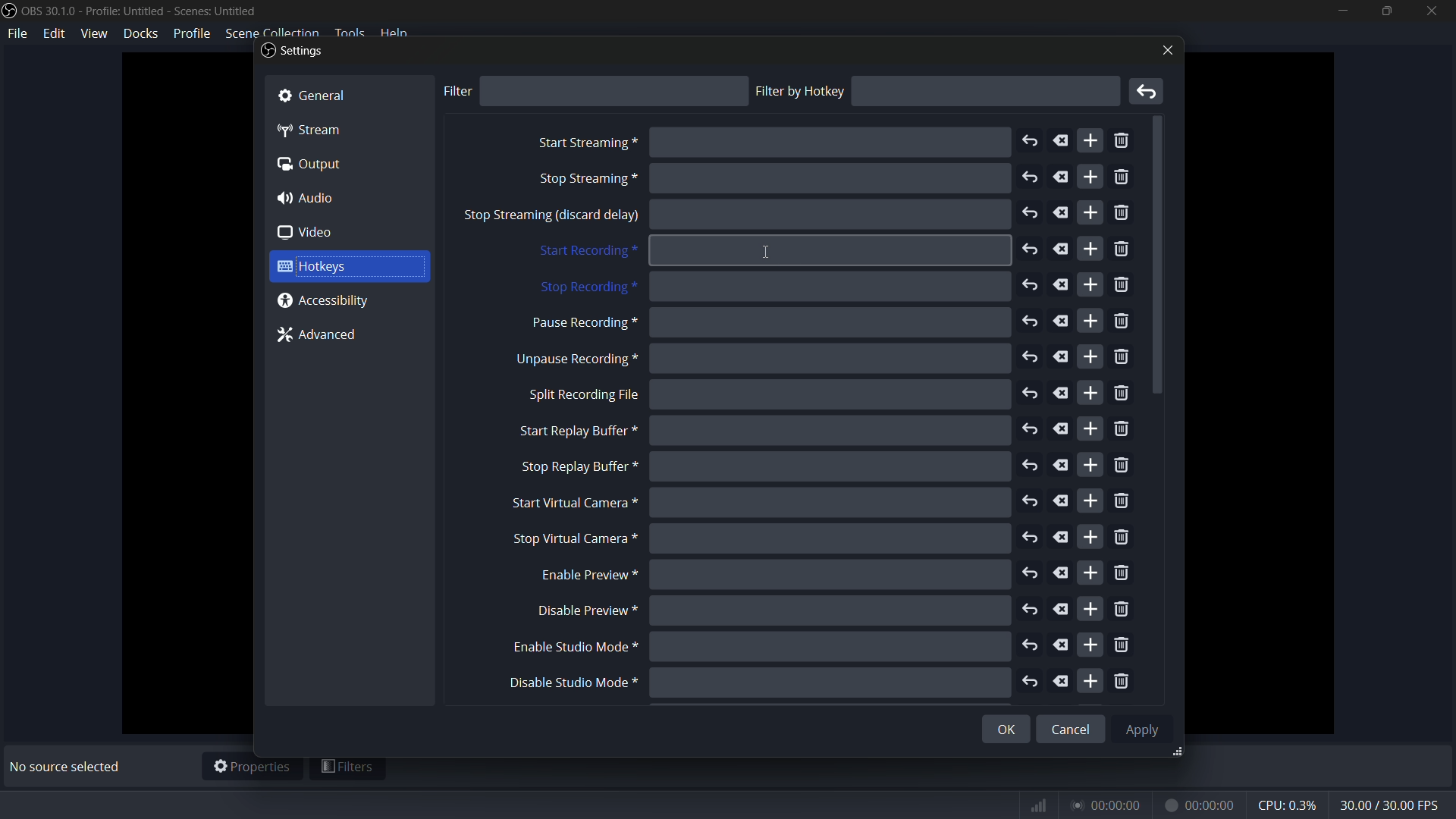 This screenshot has height=819, width=1456. What do you see at coordinates (1091, 392) in the screenshot?
I see `add more` at bounding box center [1091, 392].